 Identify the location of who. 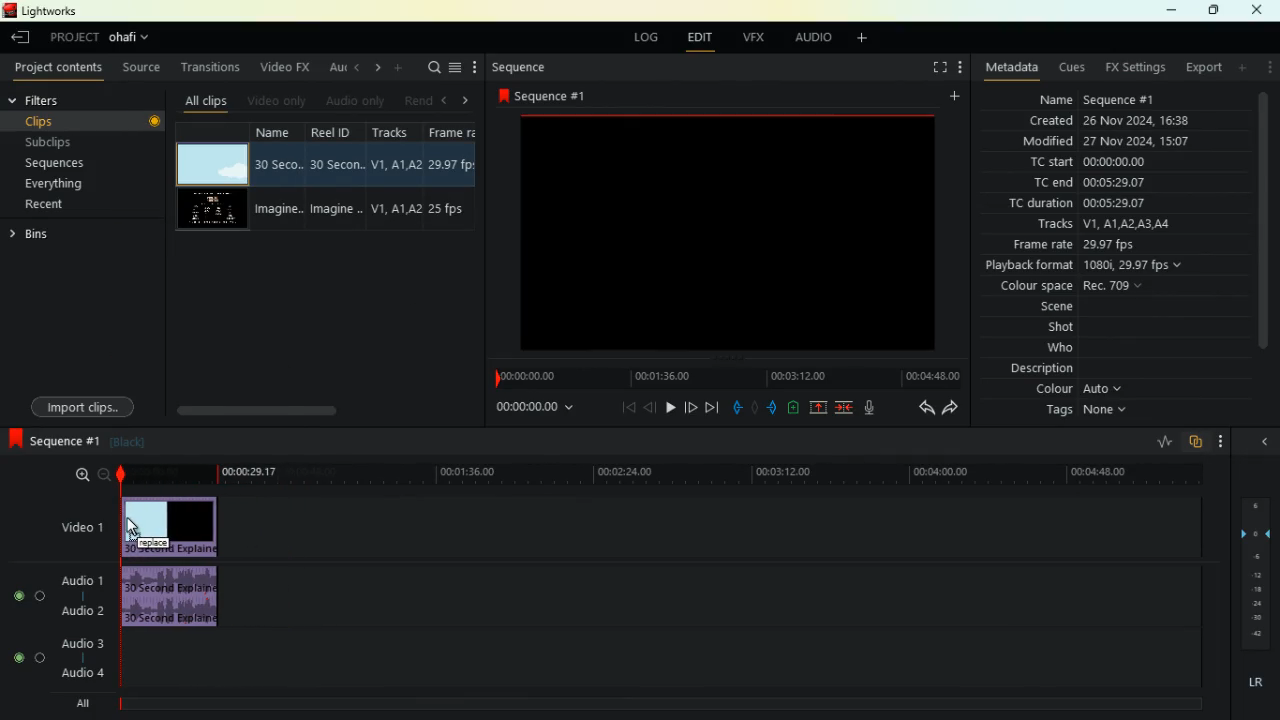
(1047, 349).